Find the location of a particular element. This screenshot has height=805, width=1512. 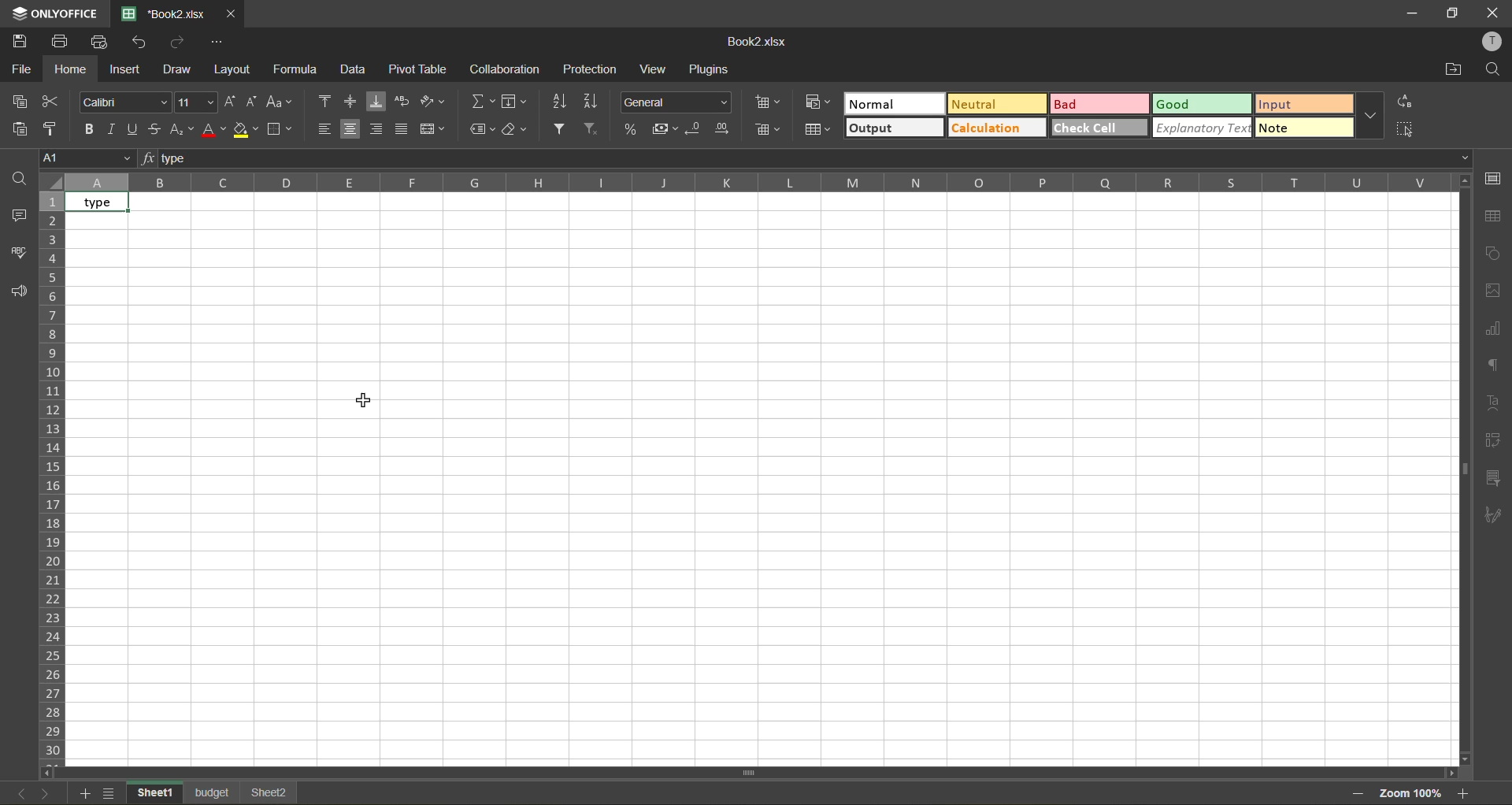

feedback is located at coordinates (20, 293).